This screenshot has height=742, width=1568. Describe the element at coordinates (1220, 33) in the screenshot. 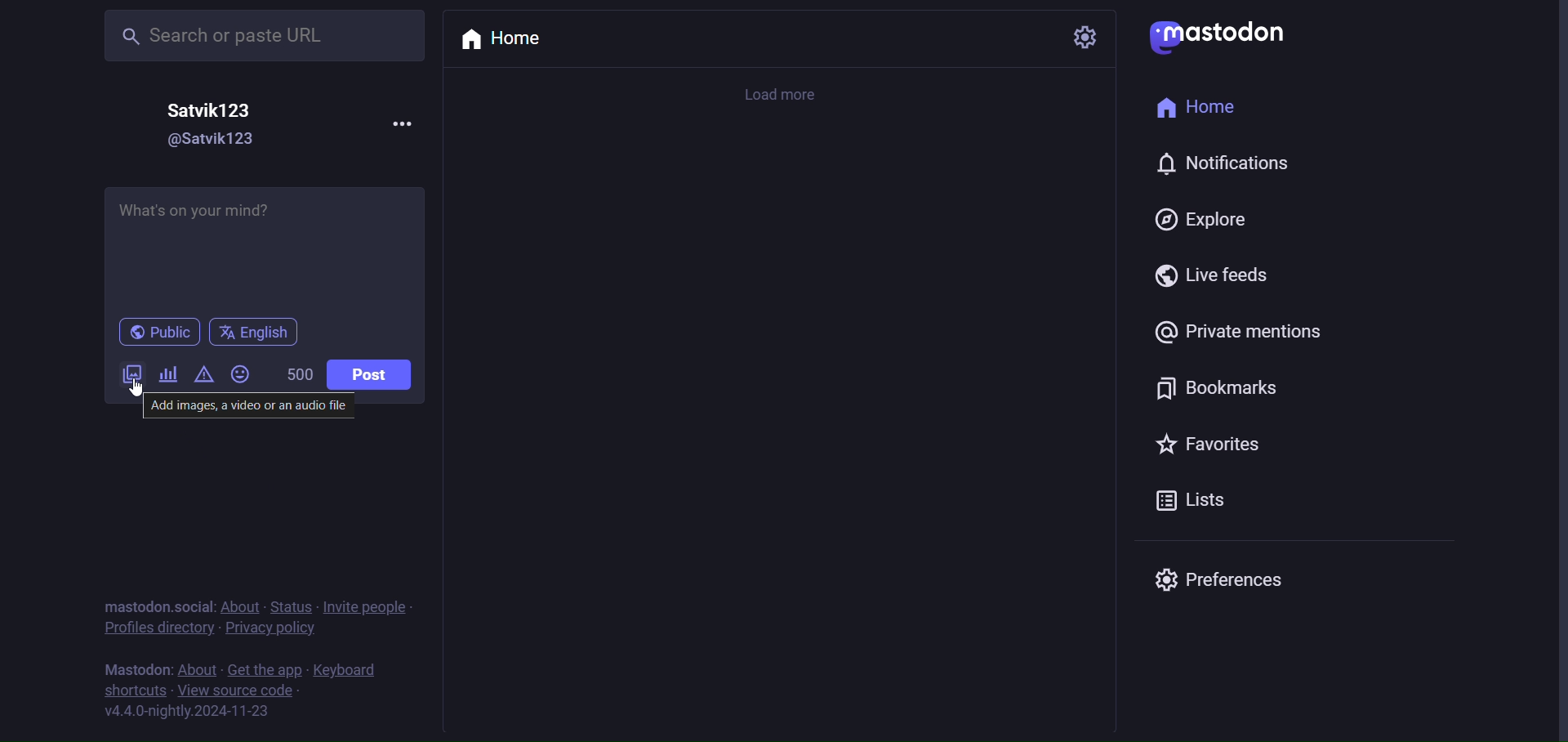

I see `mastodon` at that location.